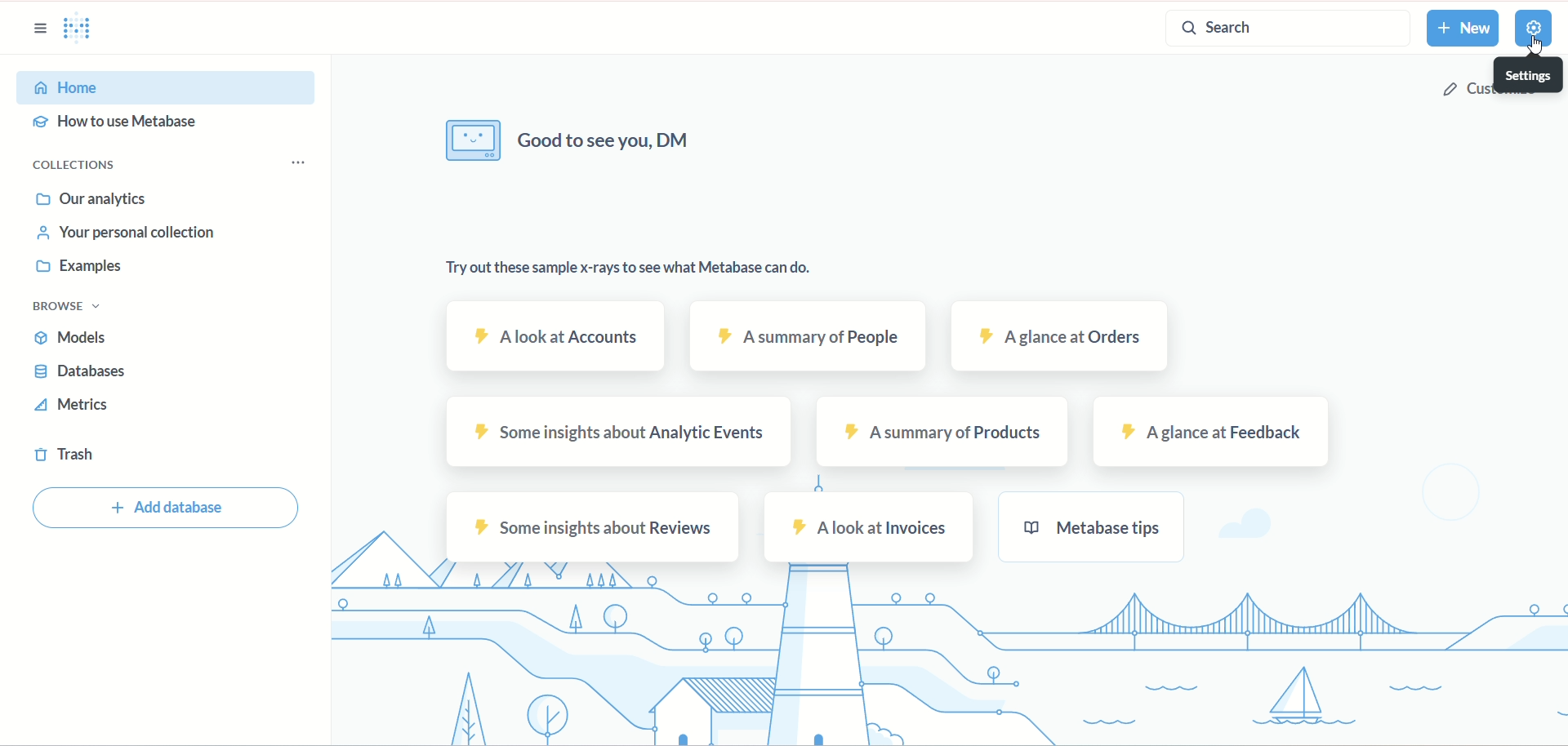 The width and height of the screenshot is (1568, 746). What do you see at coordinates (297, 161) in the screenshot?
I see `more` at bounding box center [297, 161].